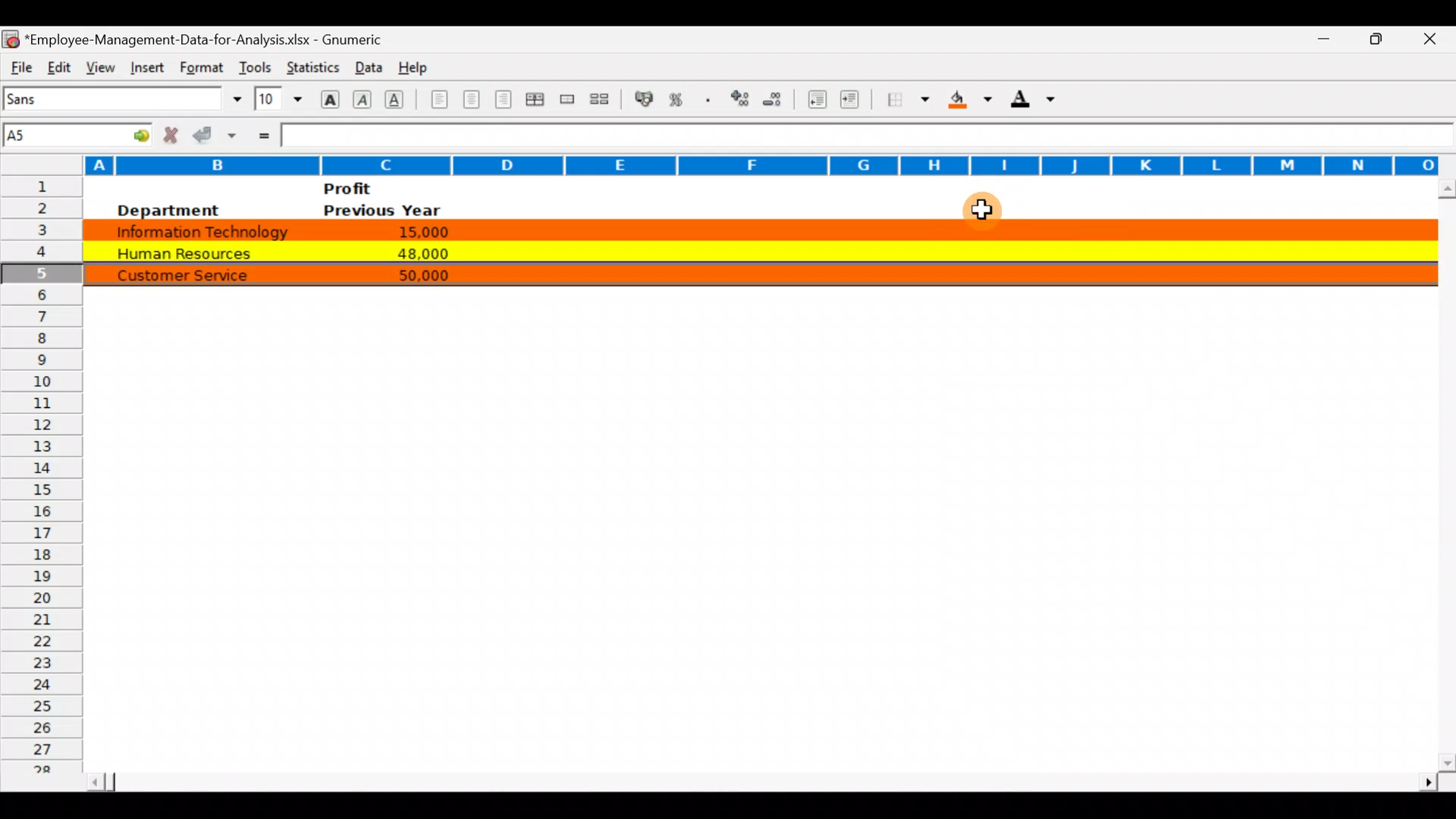 The width and height of the screenshot is (1456, 819). What do you see at coordinates (472, 102) in the screenshot?
I see `Centre horizontally` at bounding box center [472, 102].